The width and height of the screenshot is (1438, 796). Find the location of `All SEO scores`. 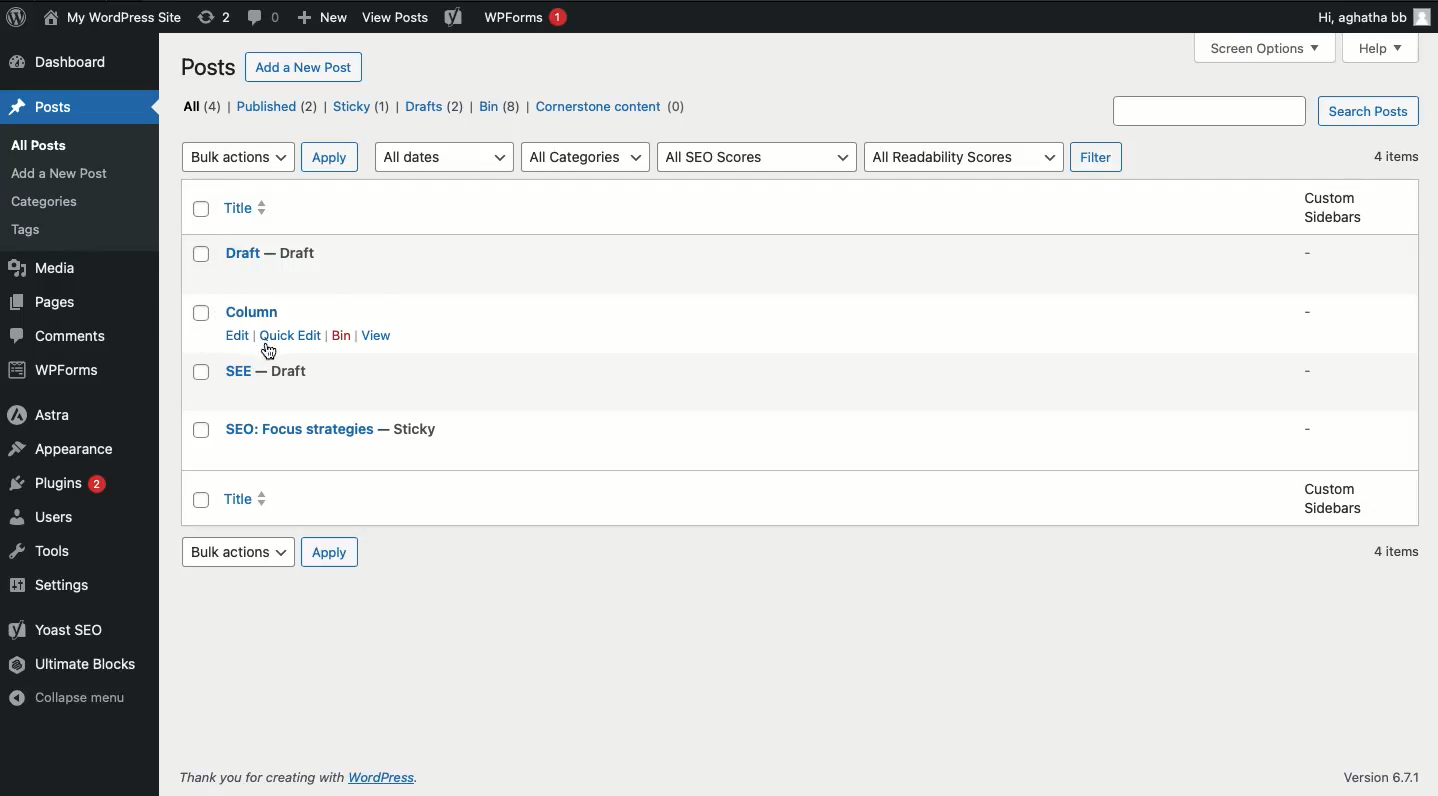

All SEO scores is located at coordinates (760, 158).